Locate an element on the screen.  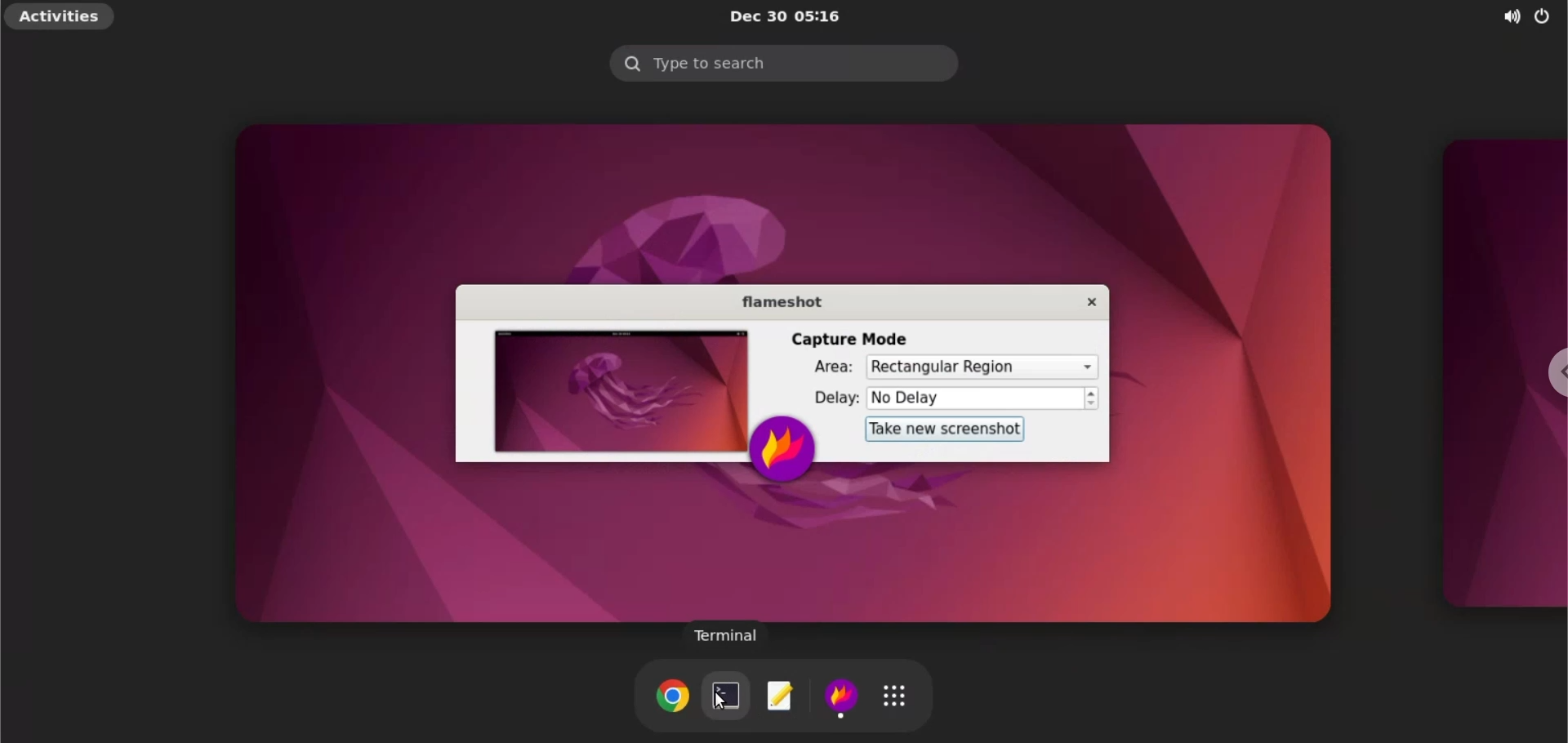
terminal is located at coordinates (728, 638).